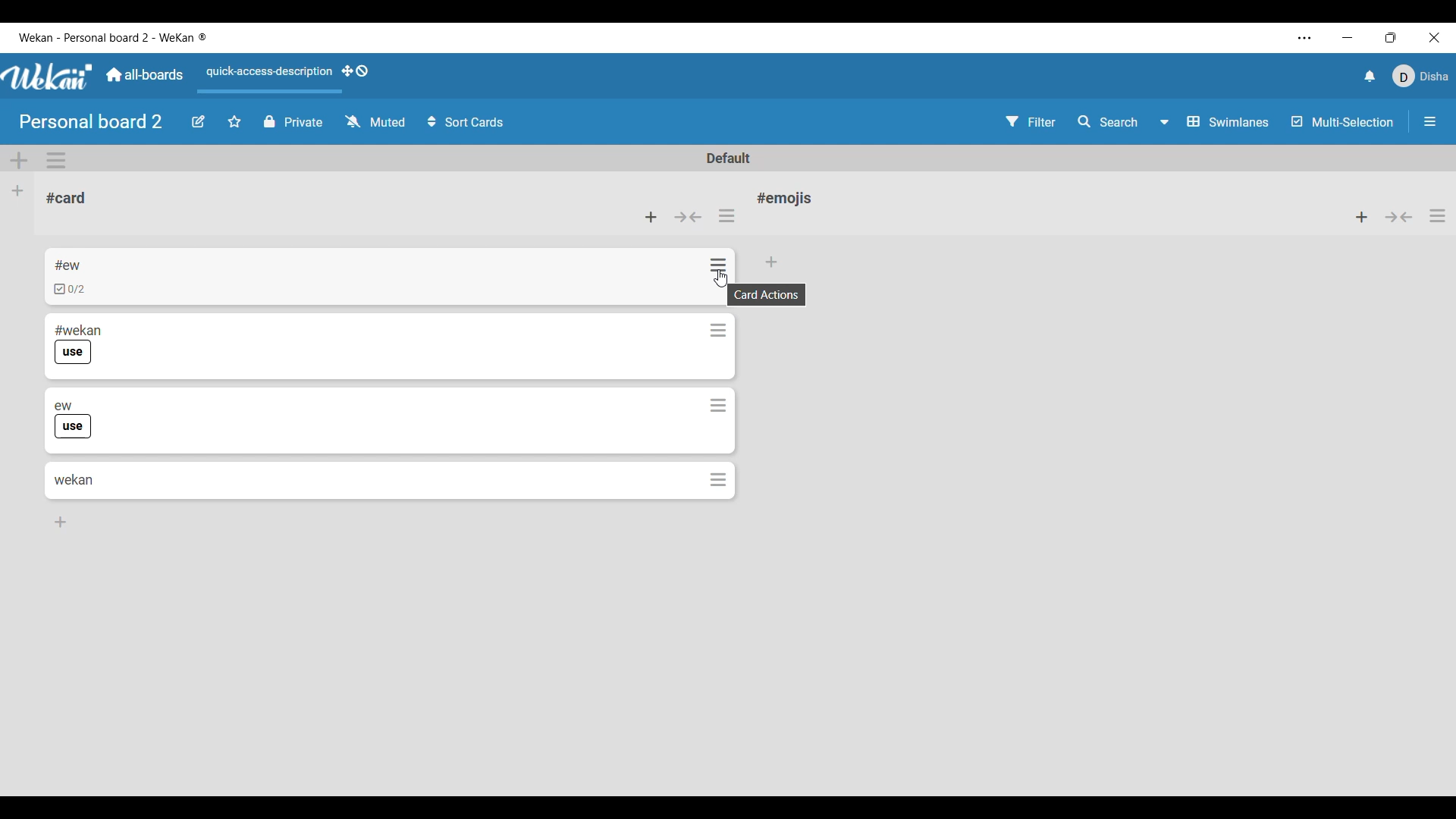 The width and height of the screenshot is (1456, 819). Describe the element at coordinates (93, 121) in the screenshot. I see `Board name` at that location.